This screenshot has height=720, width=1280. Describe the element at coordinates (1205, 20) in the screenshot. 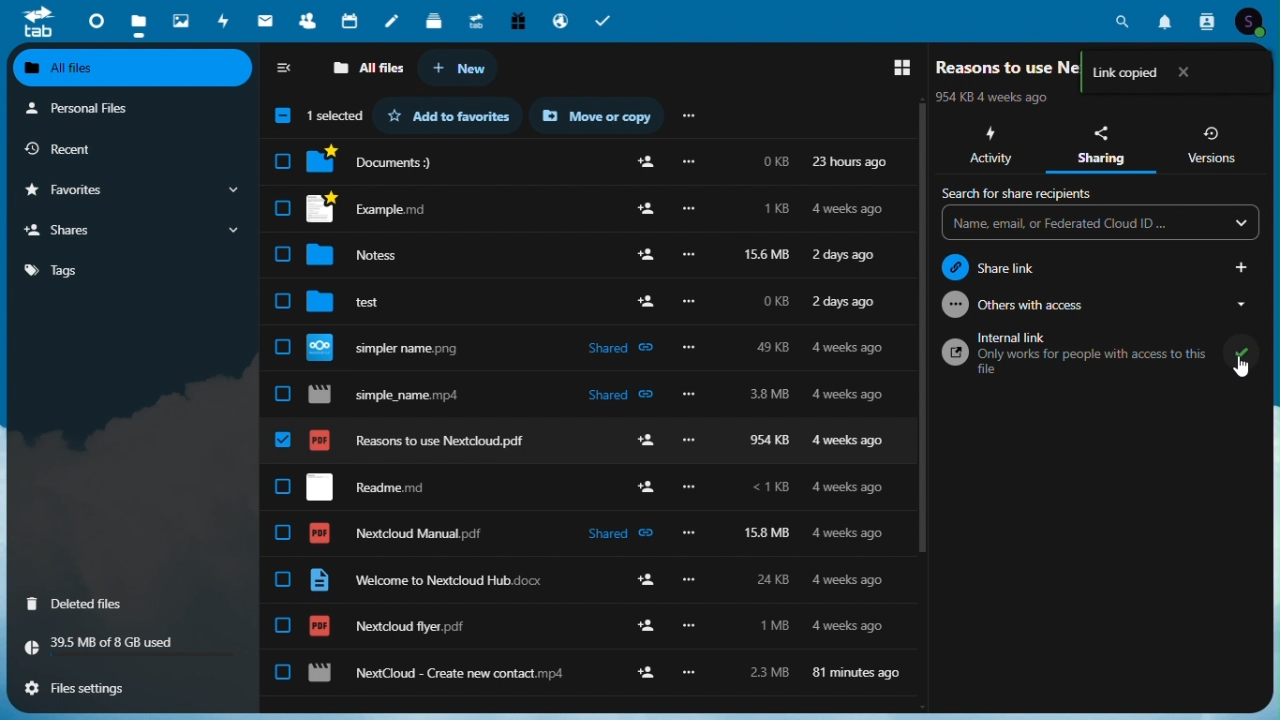

I see `contacts` at that location.